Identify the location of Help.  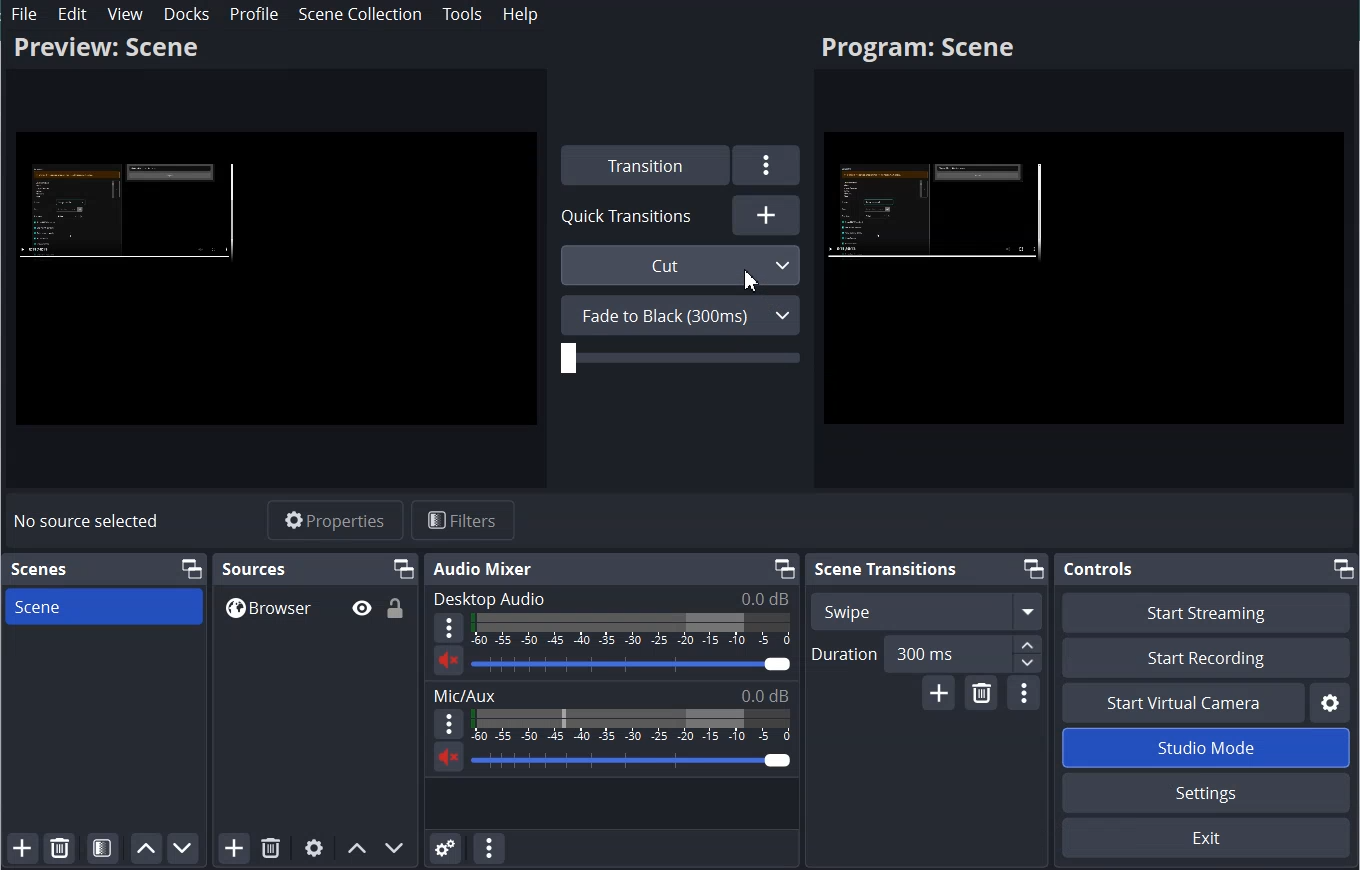
(521, 14).